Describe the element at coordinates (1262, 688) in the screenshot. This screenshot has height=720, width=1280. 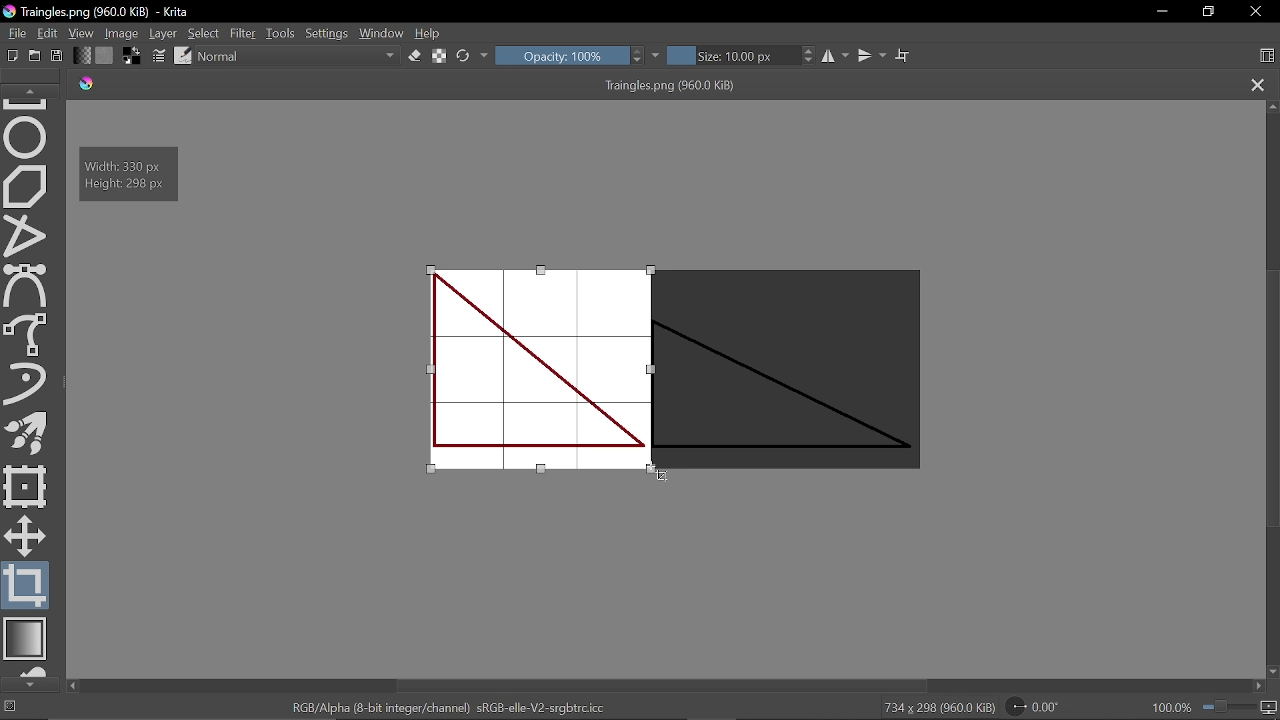
I see `Move right` at that location.